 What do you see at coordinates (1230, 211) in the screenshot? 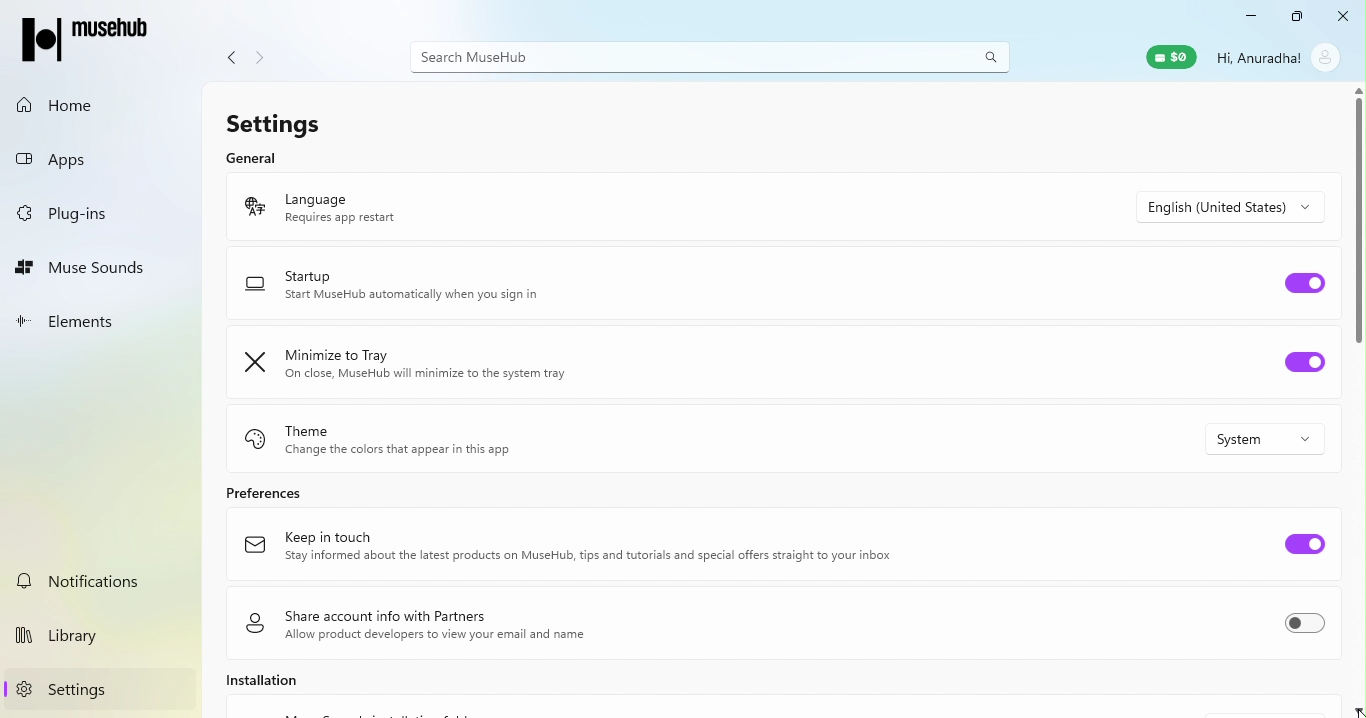
I see `Drop down` at bounding box center [1230, 211].